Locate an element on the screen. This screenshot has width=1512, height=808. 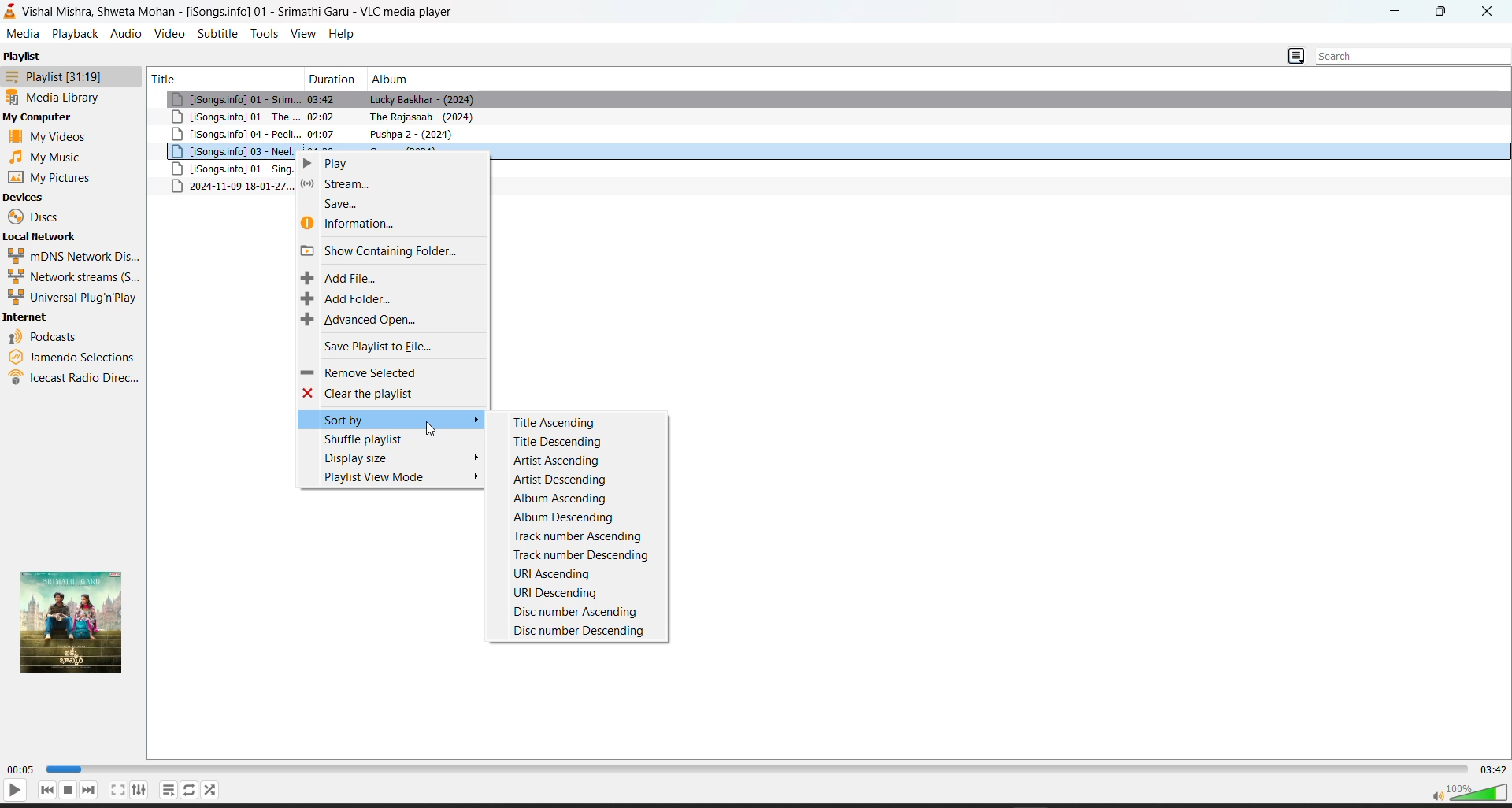
vlc logo is located at coordinates (9, 11).